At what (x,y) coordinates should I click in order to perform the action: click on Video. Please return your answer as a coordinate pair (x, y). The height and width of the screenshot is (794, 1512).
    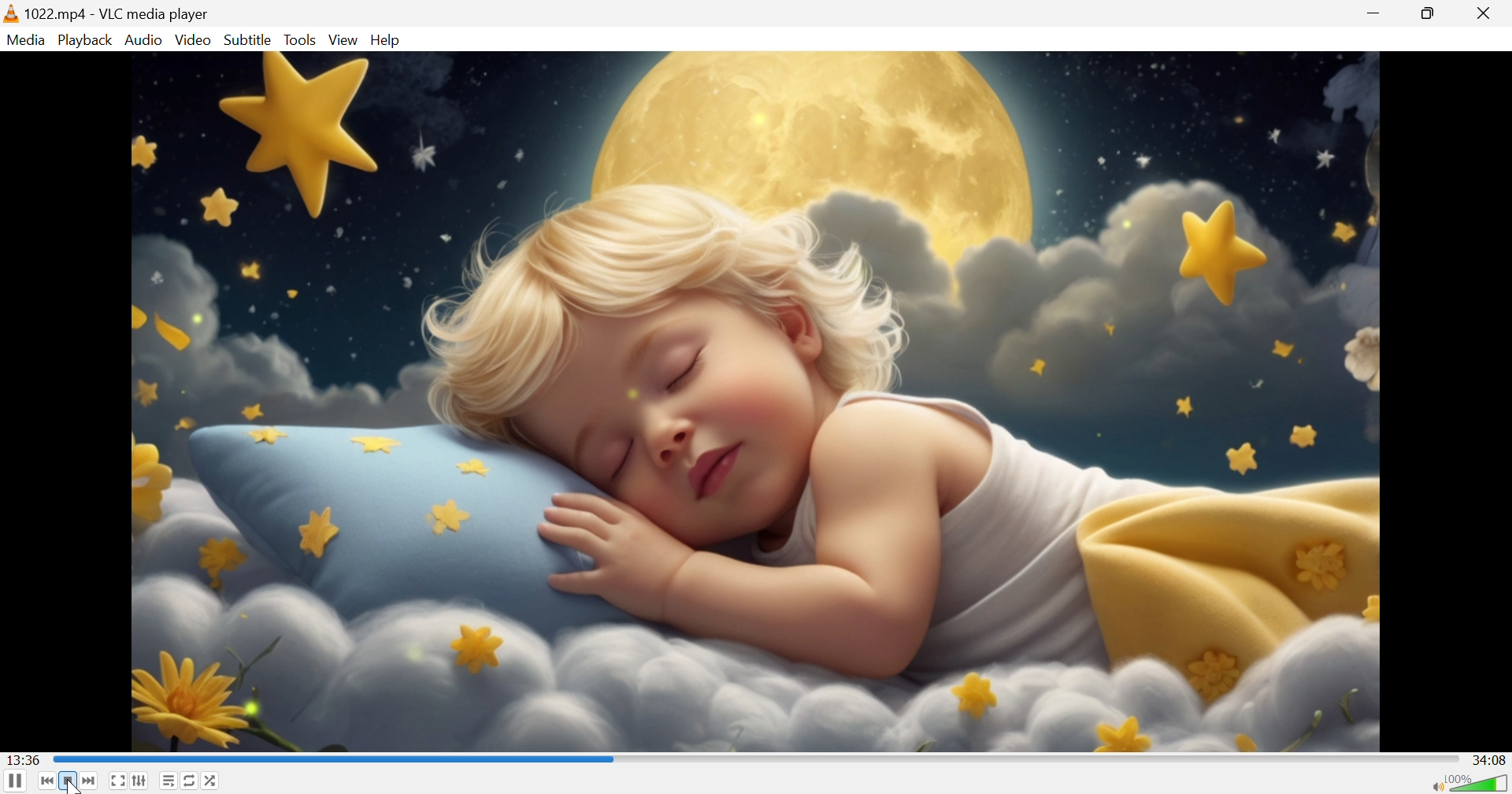
    Looking at the image, I should click on (194, 40).